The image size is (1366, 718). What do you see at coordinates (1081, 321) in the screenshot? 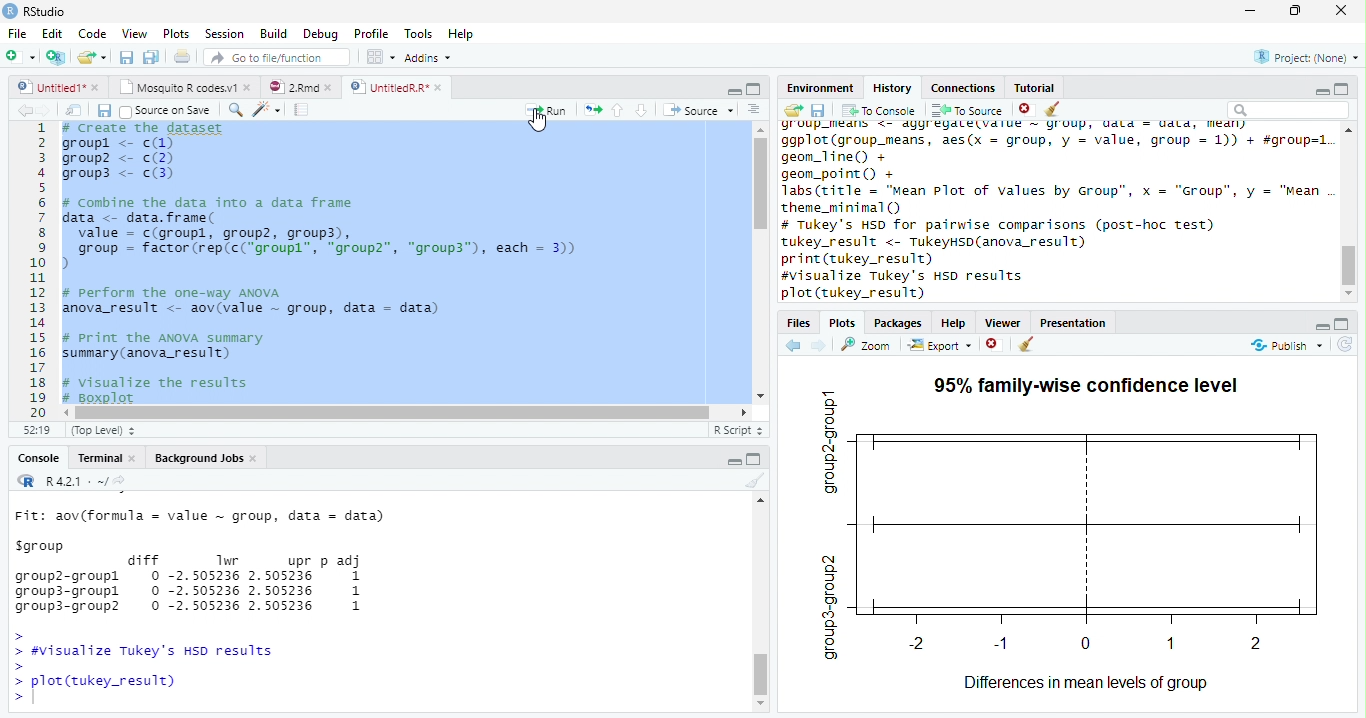
I see `Presentation` at bounding box center [1081, 321].